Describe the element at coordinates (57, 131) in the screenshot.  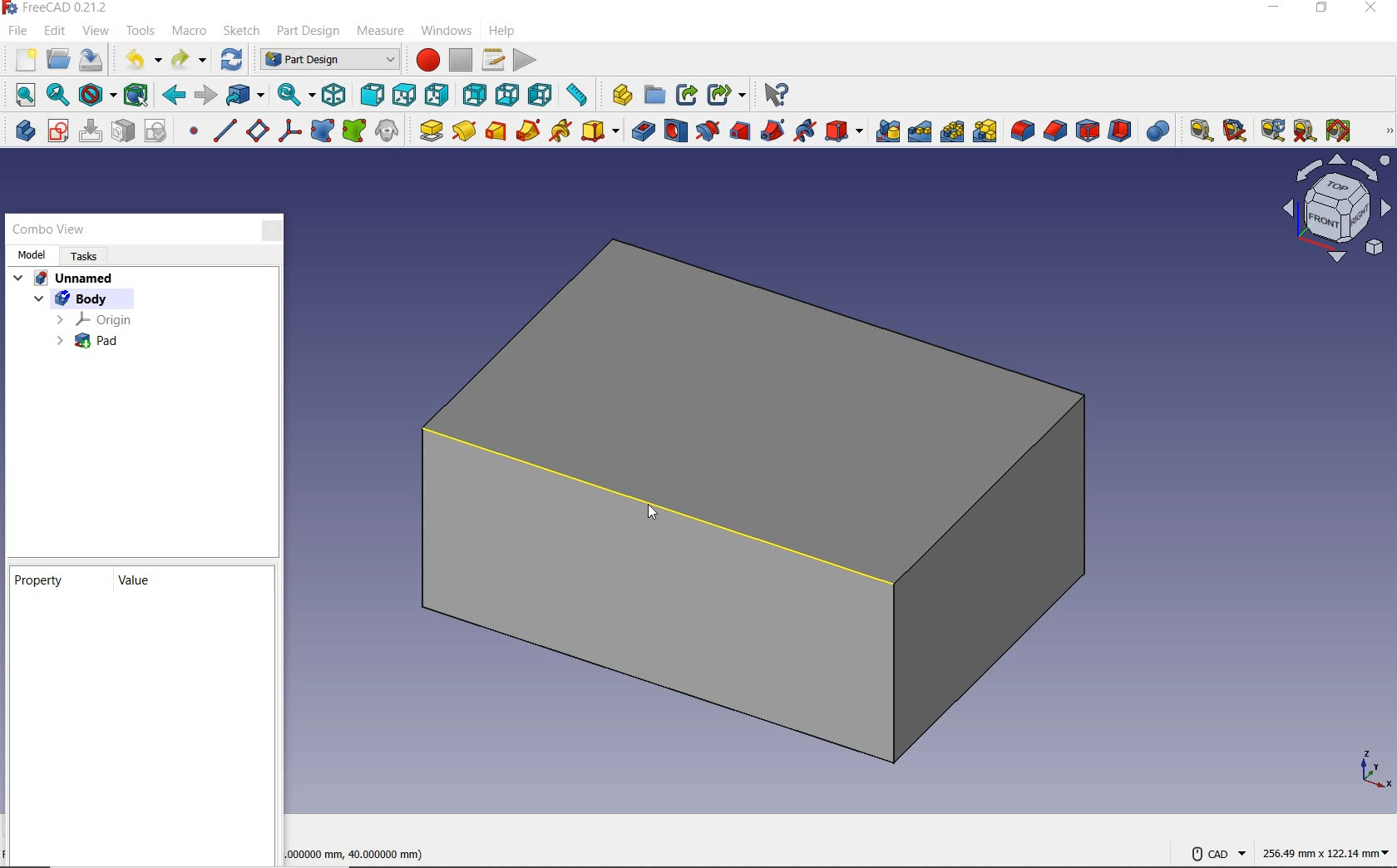
I see `create sketch` at that location.